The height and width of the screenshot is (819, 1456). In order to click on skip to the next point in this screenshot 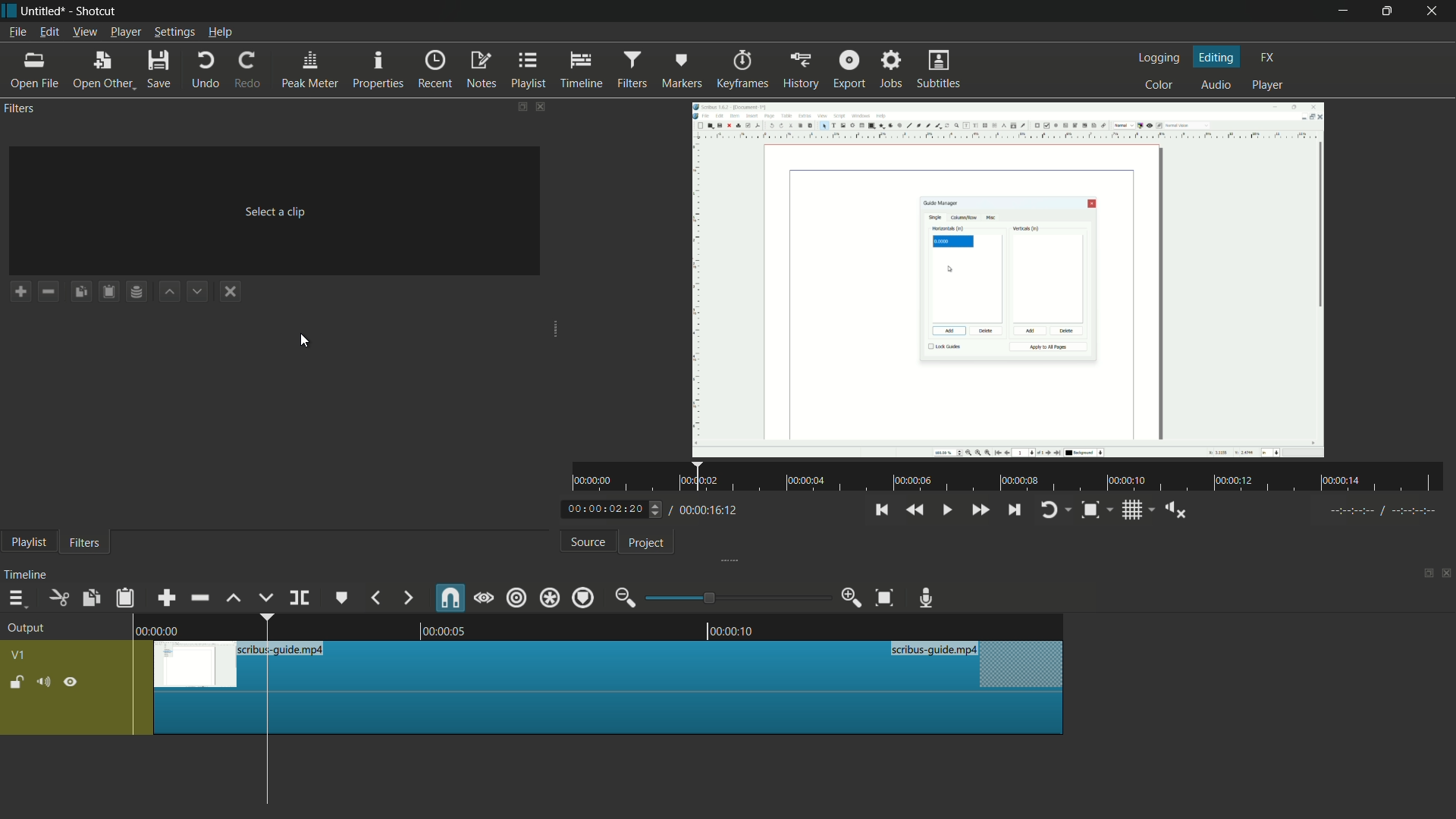, I will do `click(1015, 510)`.